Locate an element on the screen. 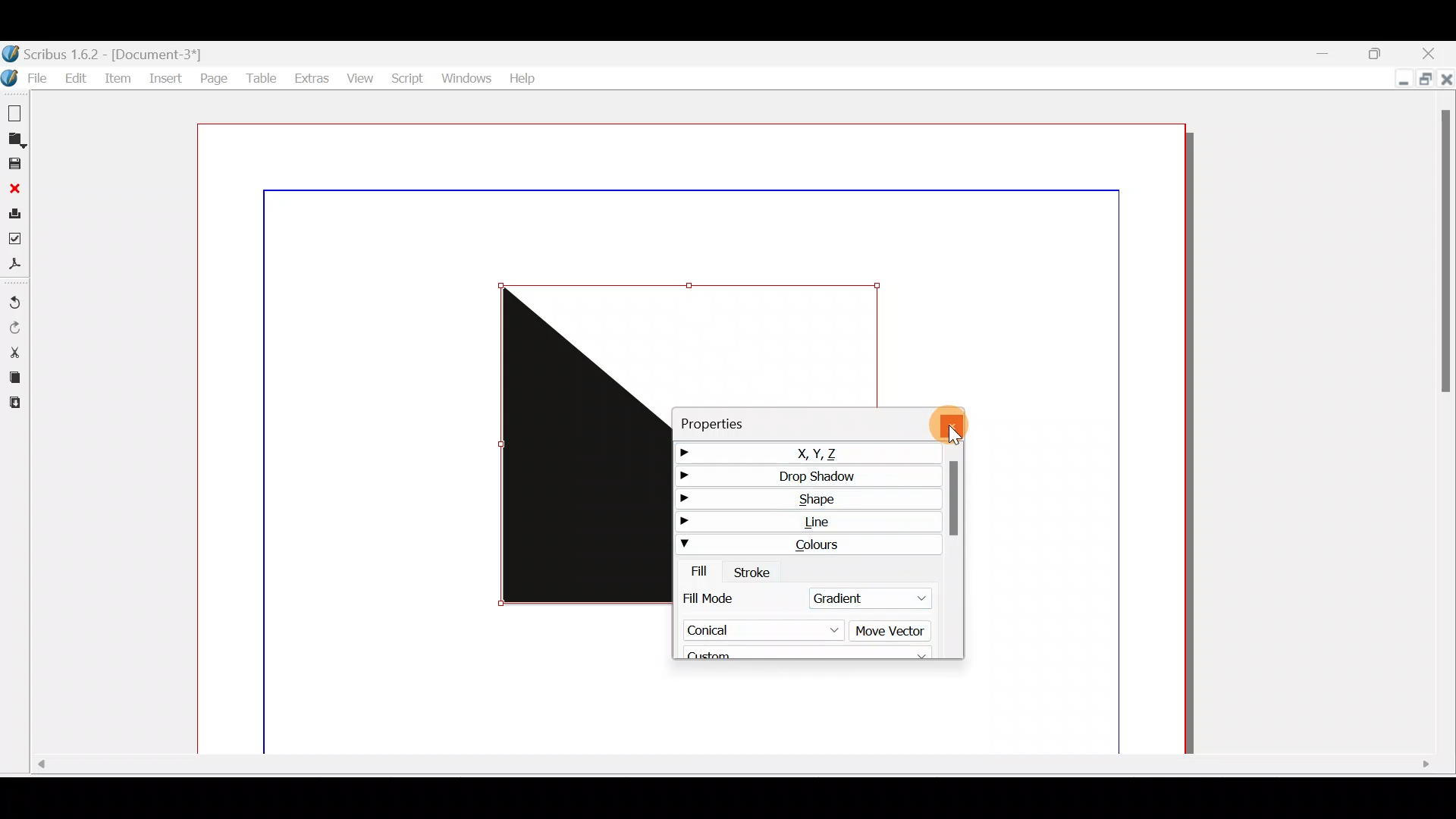  Save is located at coordinates (14, 163).